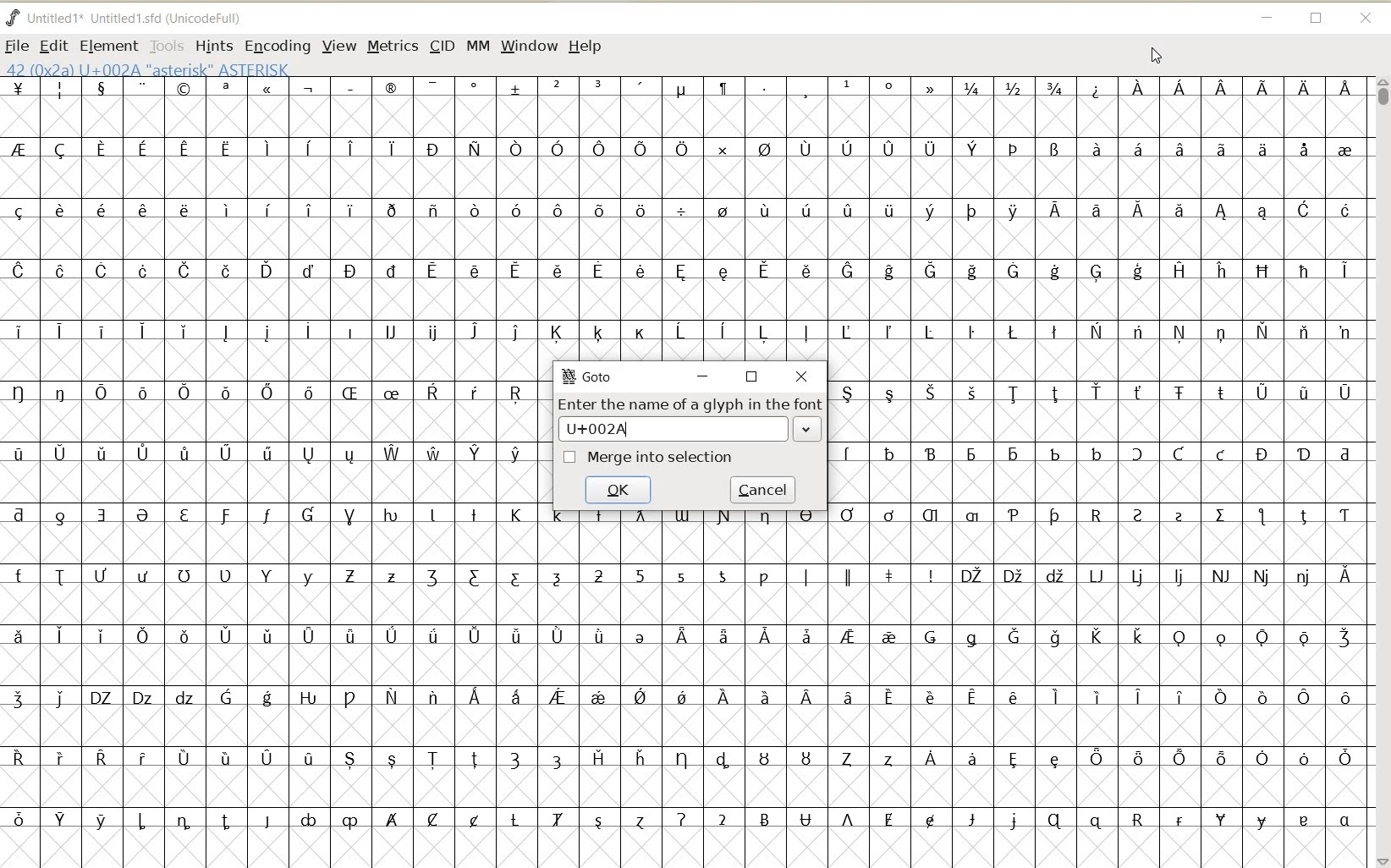 The height and width of the screenshot is (868, 1391). What do you see at coordinates (440, 46) in the screenshot?
I see `CID` at bounding box center [440, 46].